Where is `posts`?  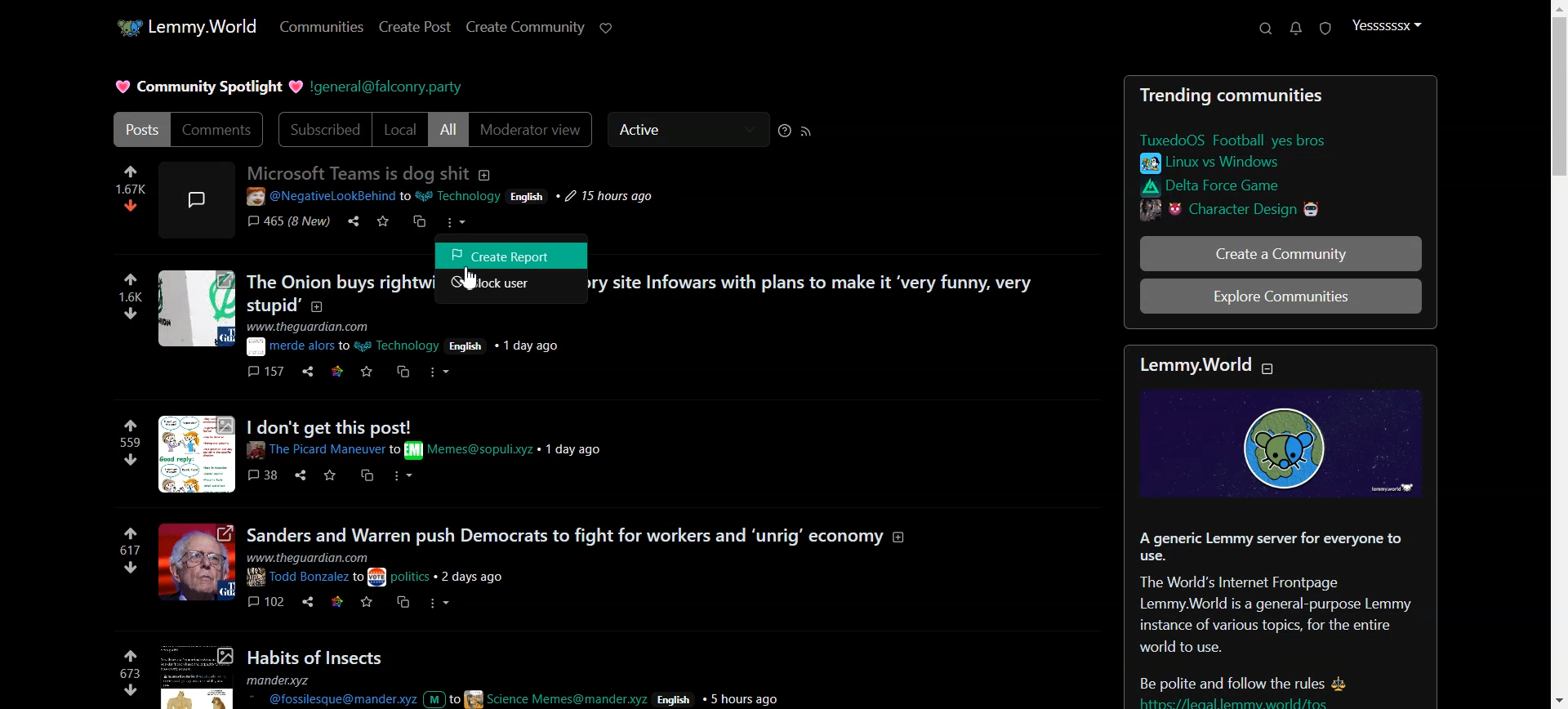 posts is located at coordinates (583, 553).